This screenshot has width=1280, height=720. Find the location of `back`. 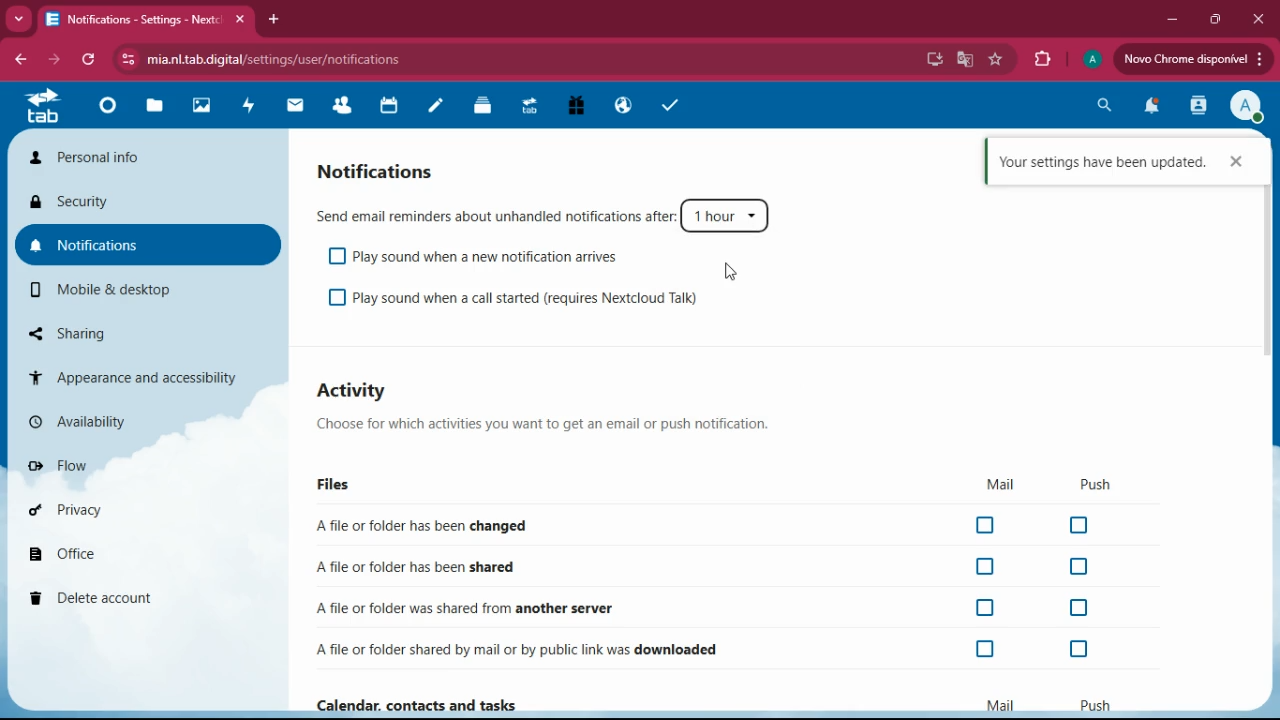

back is located at coordinates (18, 60).